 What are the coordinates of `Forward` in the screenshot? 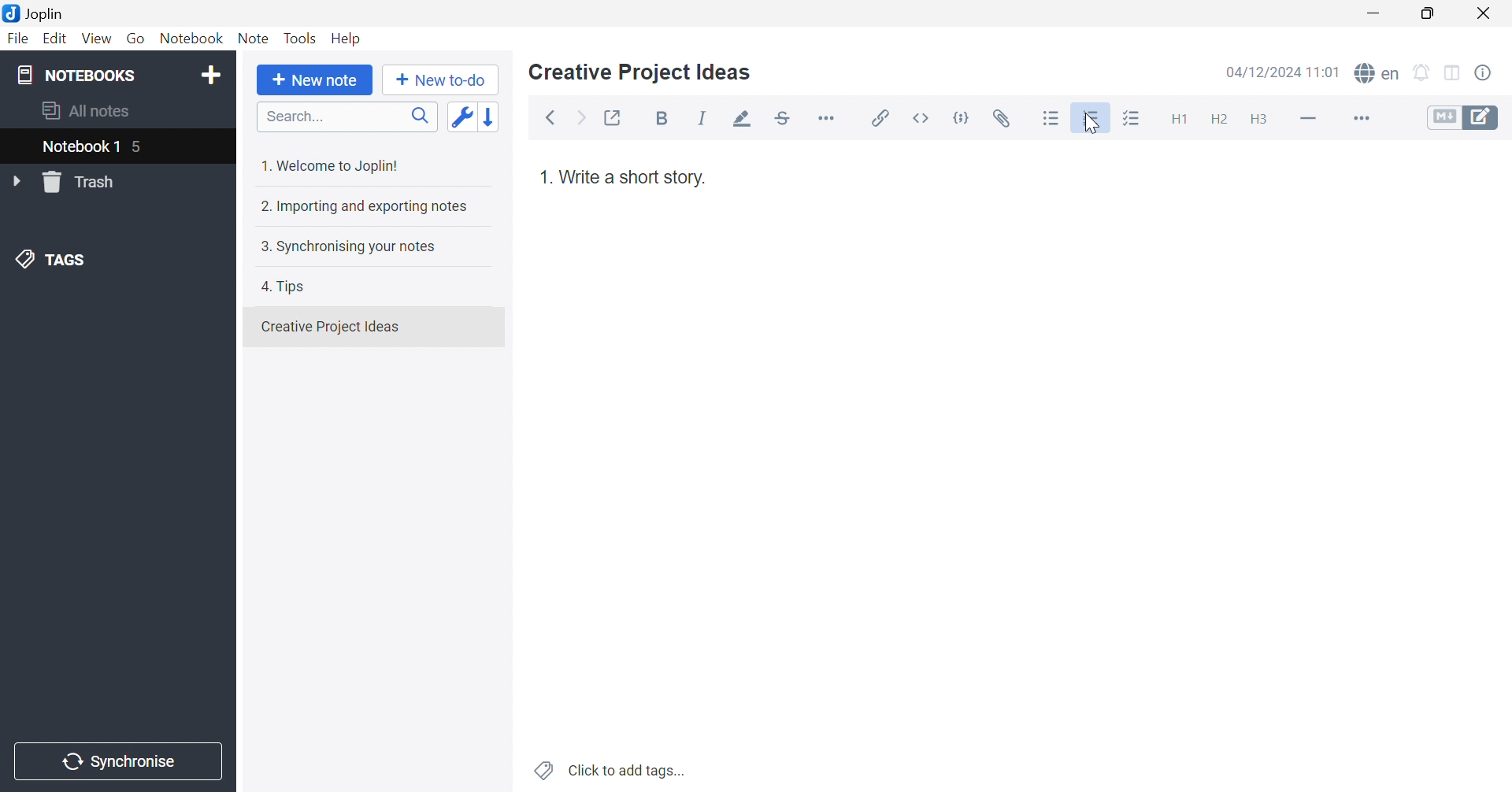 It's located at (580, 120).